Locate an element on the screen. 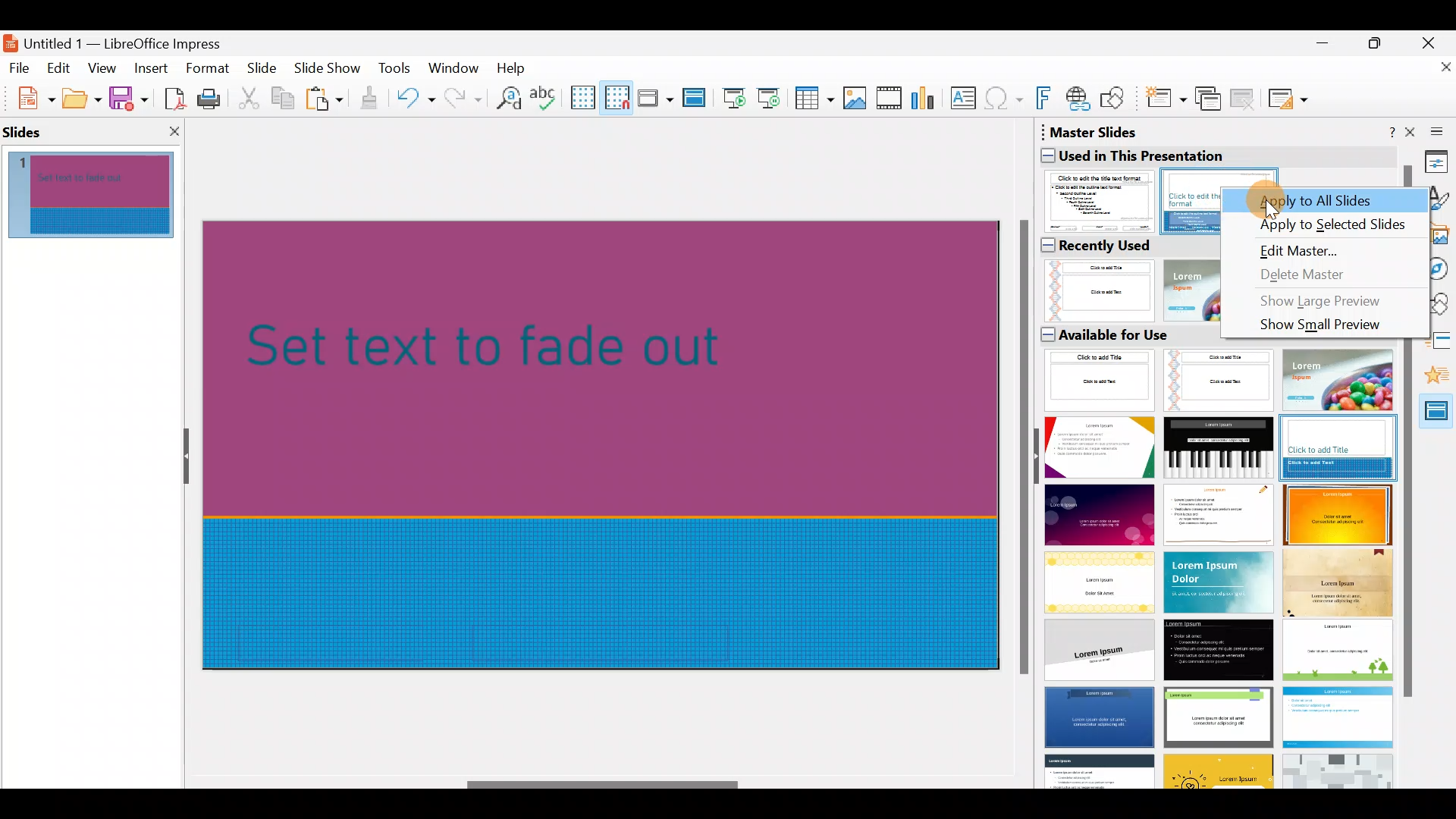 This screenshot has height=819, width=1456. Insert chart is located at coordinates (927, 99).